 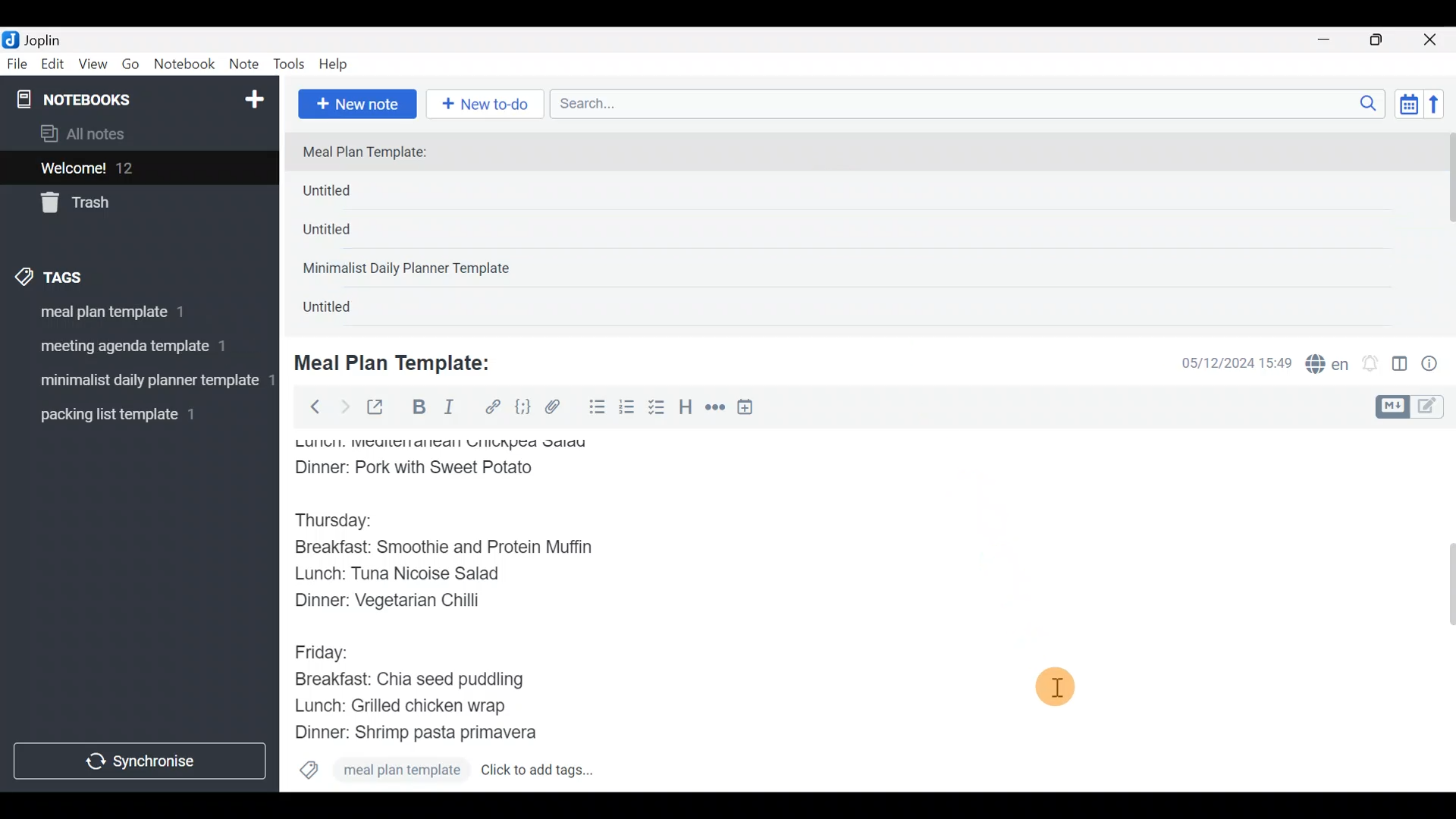 I want to click on Insert time, so click(x=752, y=409).